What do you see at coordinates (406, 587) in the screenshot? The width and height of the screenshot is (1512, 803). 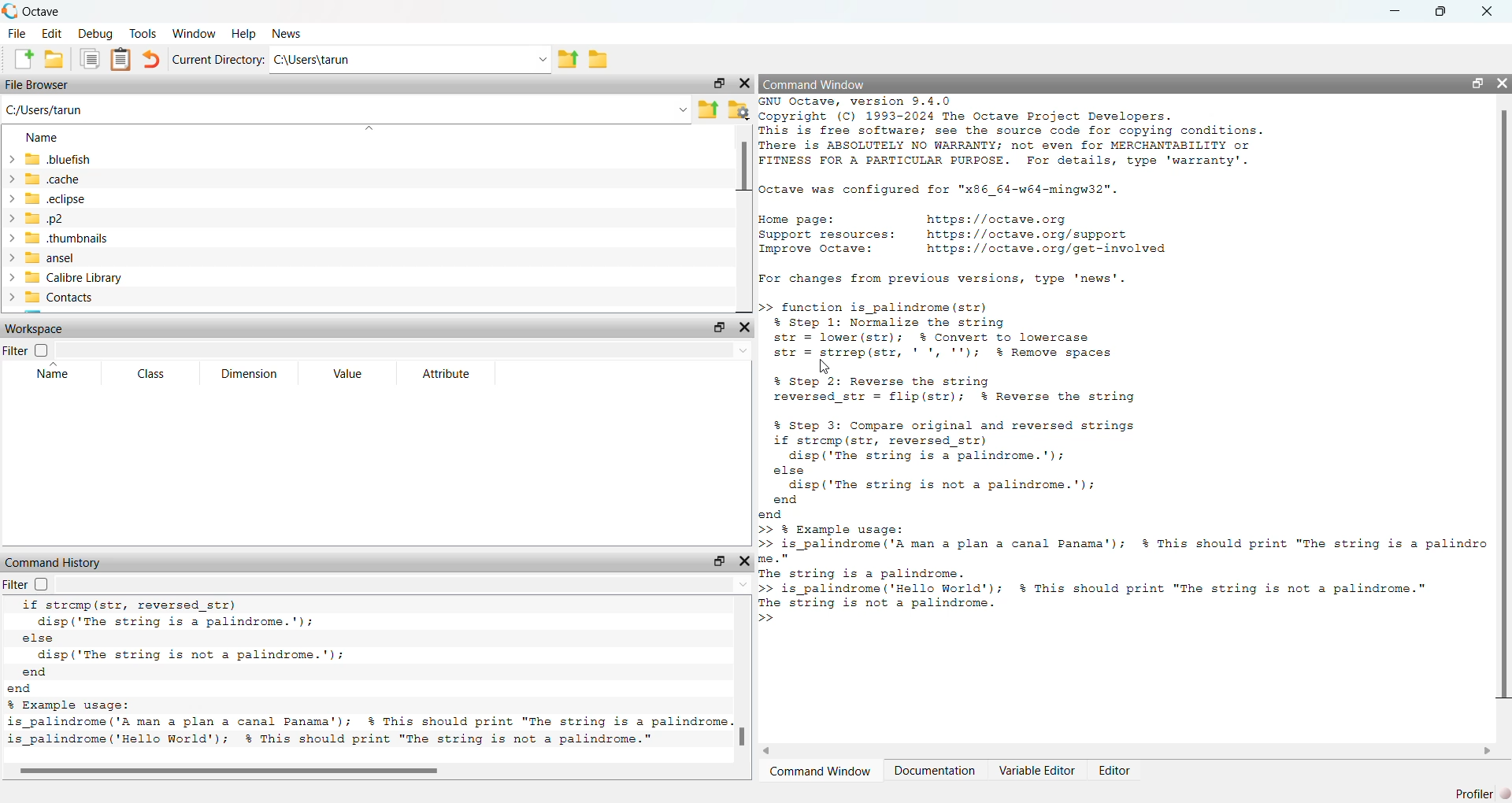 I see `filter input field` at bounding box center [406, 587].